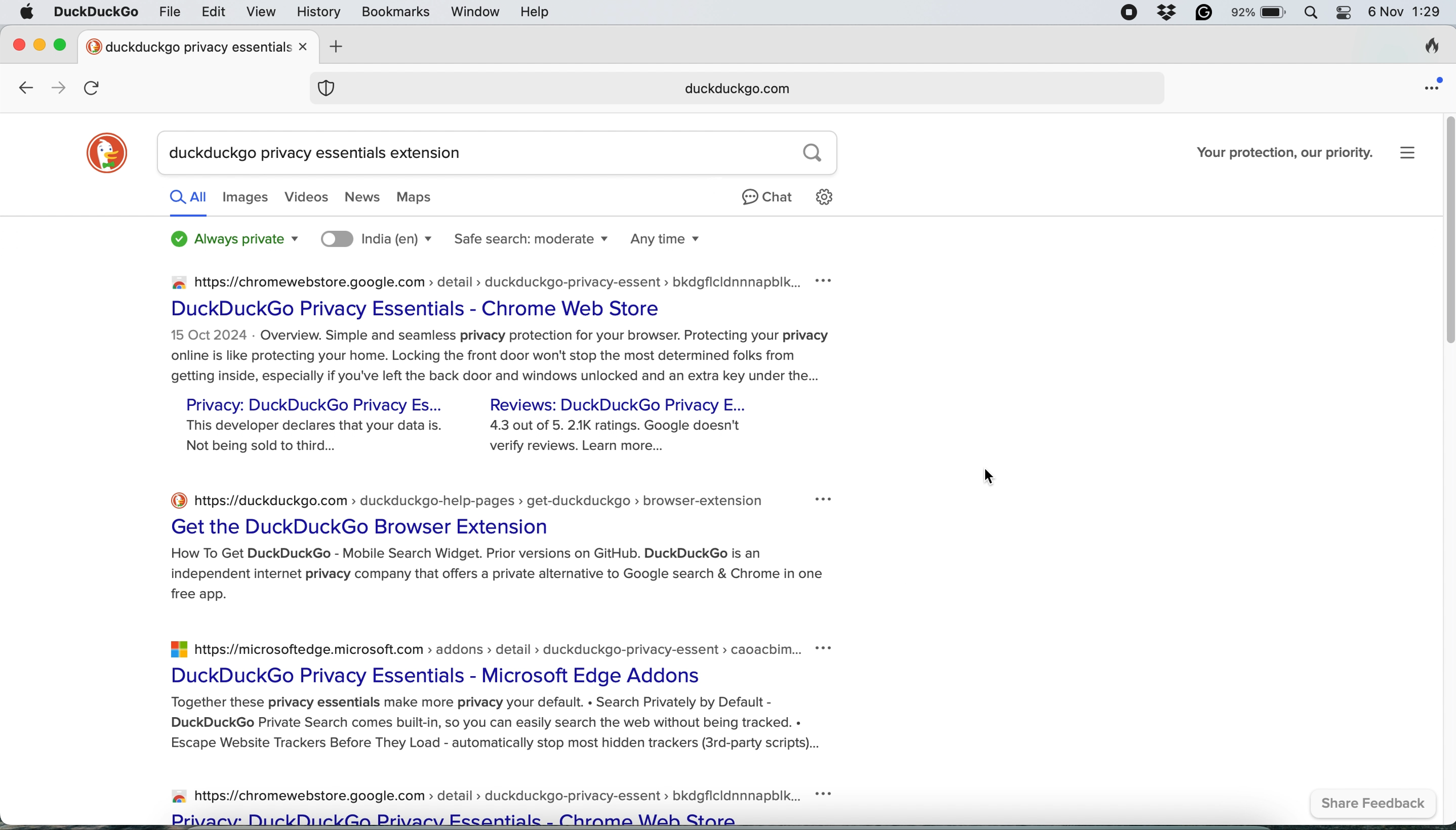 The width and height of the screenshot is (1456, 830). Describe the element at coordinates (828, 647) in the screenshot. I see `more` at that location.